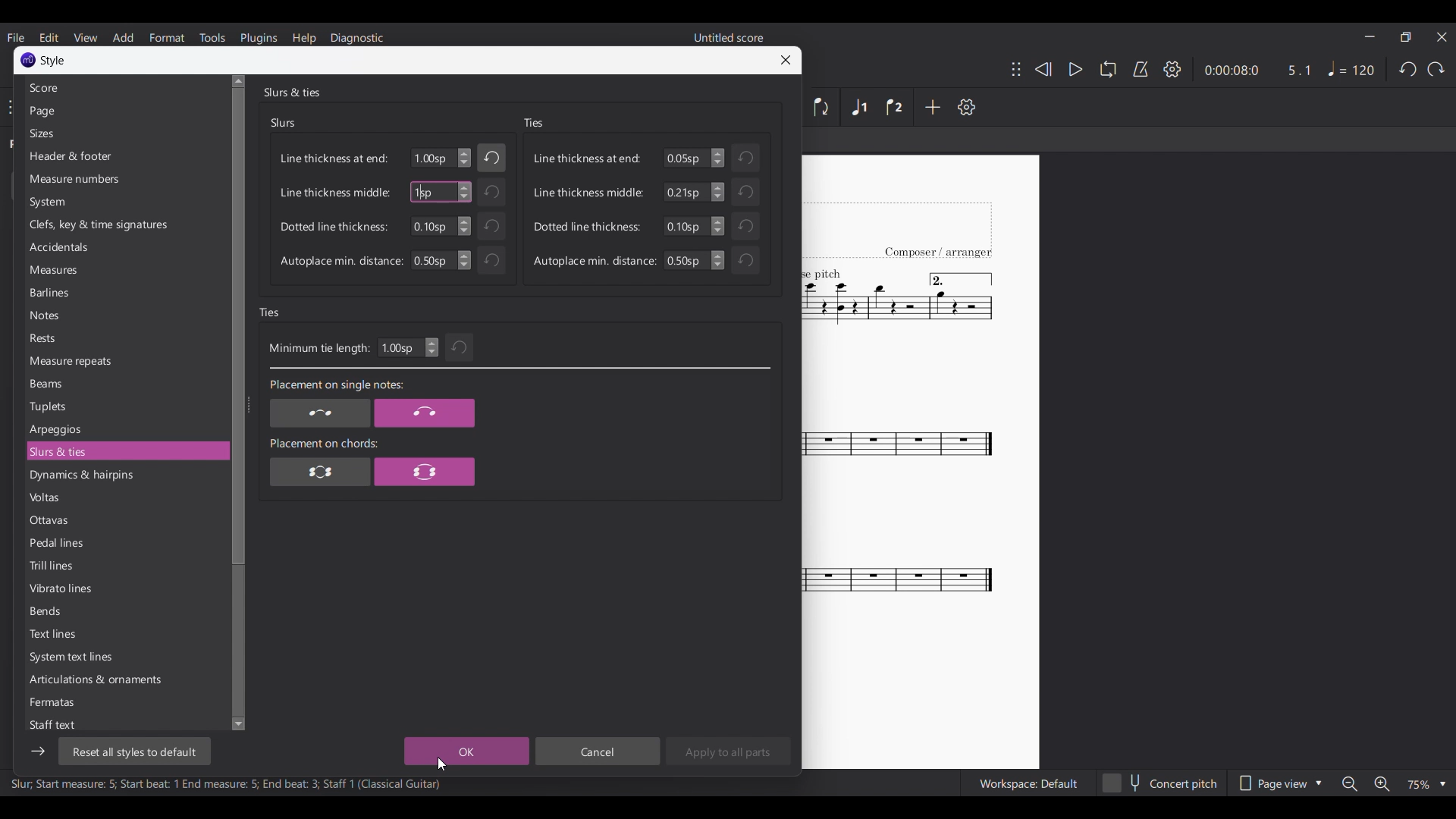 Image resolution: width=1456 pixels, height=819 pixels. What do you see at coordinates (49, 37) in the screenshot?
I see `Edit menu` at bounding box center [49, 37].